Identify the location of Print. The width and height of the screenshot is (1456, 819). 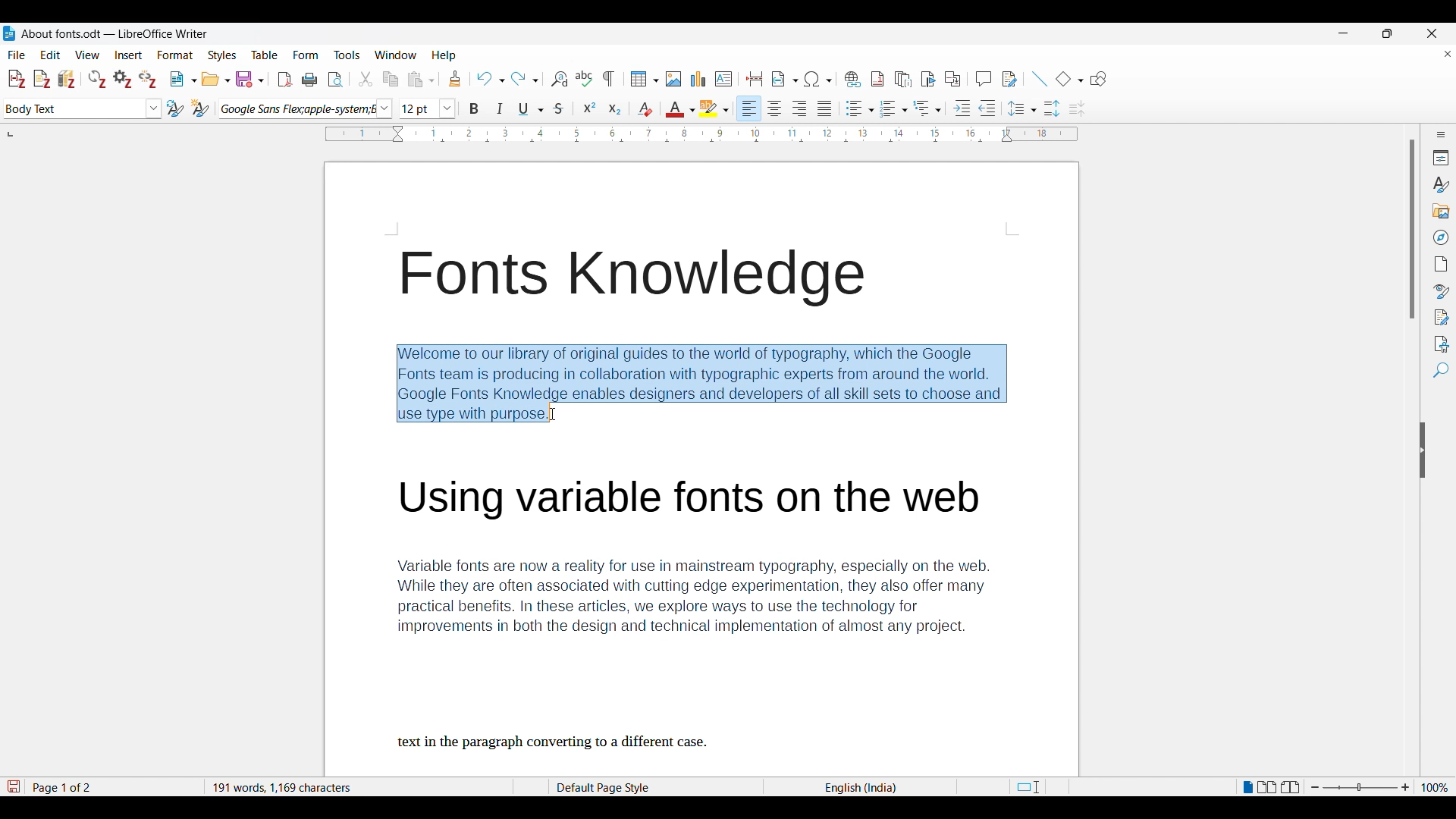
(309, 80).